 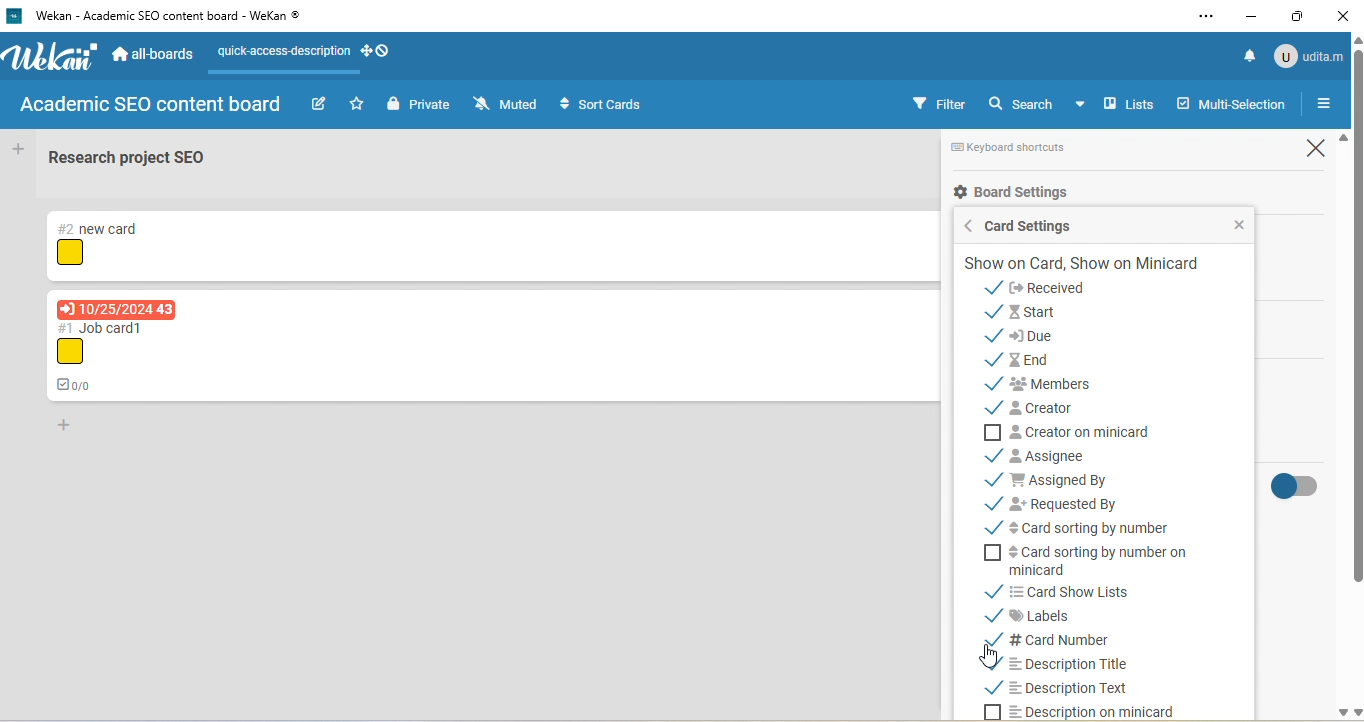 I want to click on new card, so click(x=91, y=226).